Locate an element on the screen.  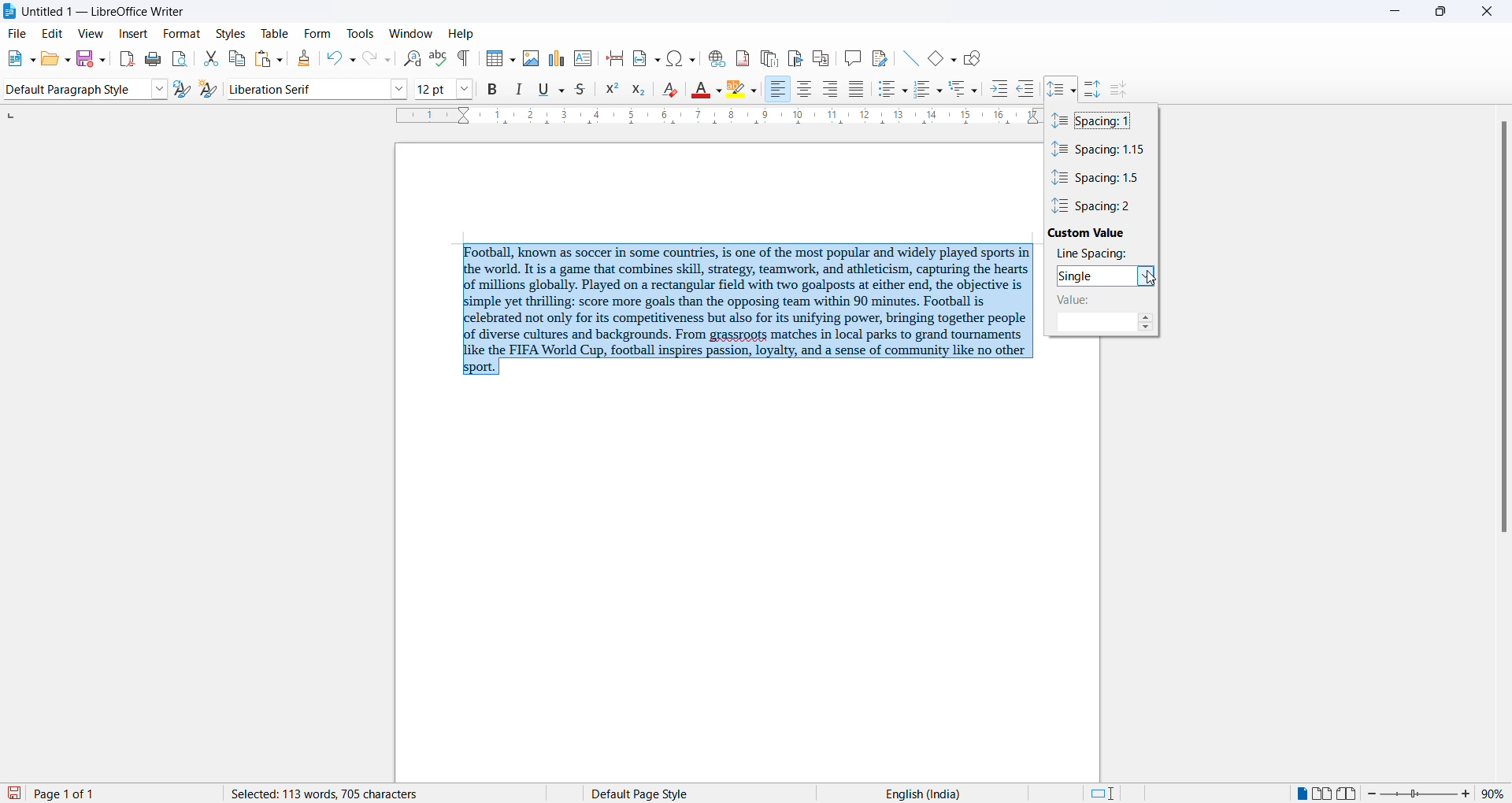
line spacing is located at coordinates (1054, 90).